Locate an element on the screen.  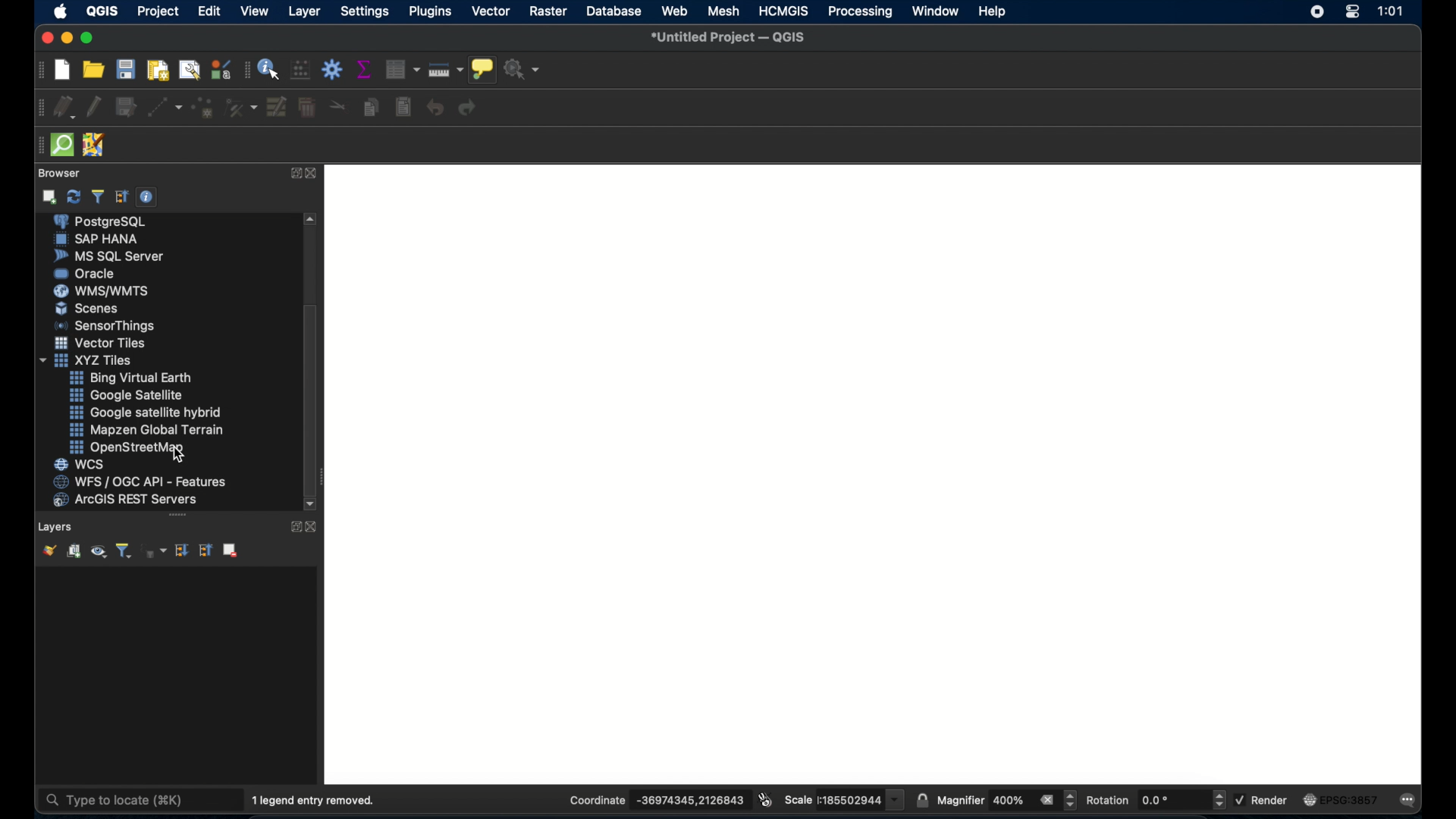
filter legend by expression  is located at coordinates (155, 551).